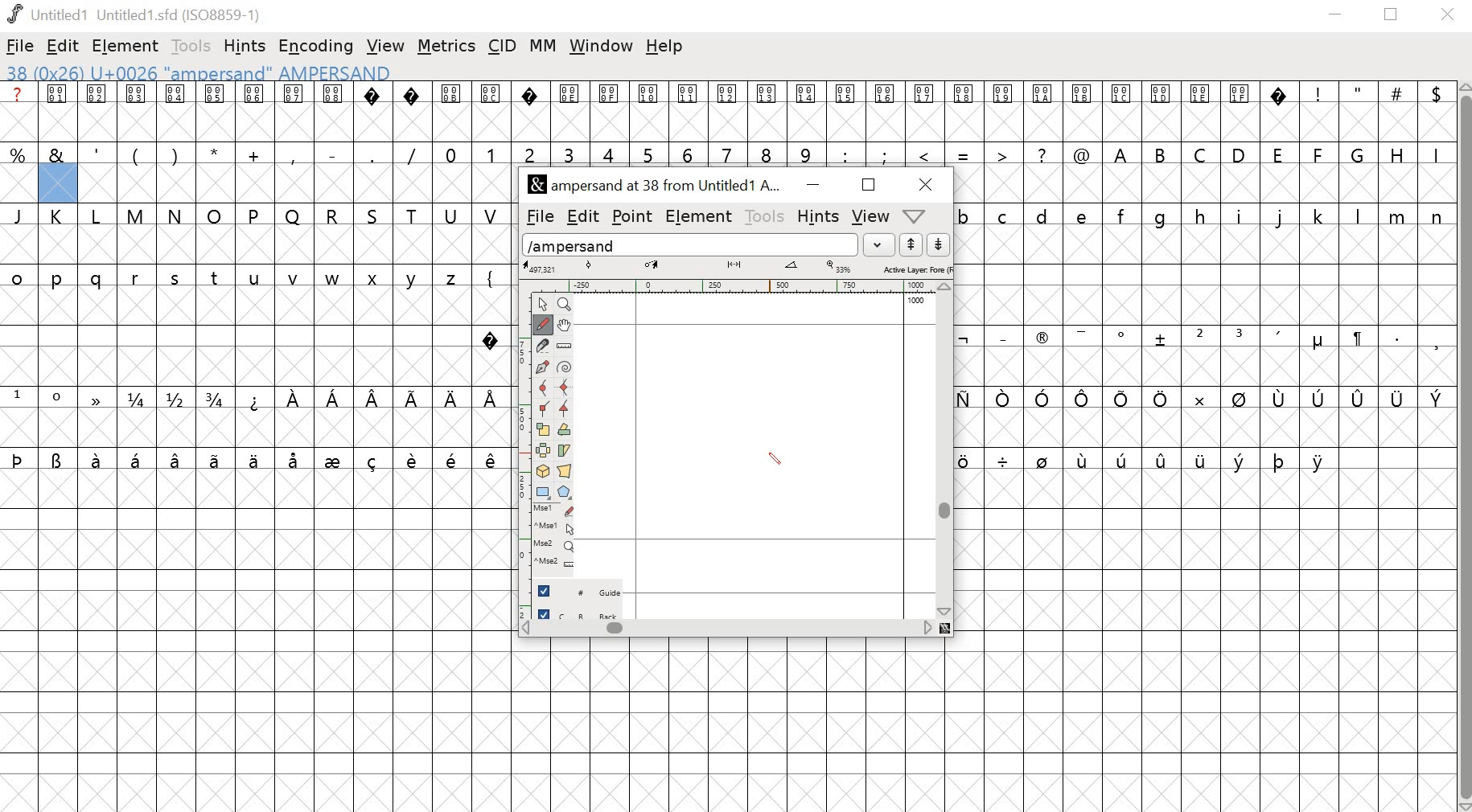 The image size is (1472, 812). What do you see at coordinates (333, 280) in the screenshot?
I see `w` at bounding box center [333, 280].